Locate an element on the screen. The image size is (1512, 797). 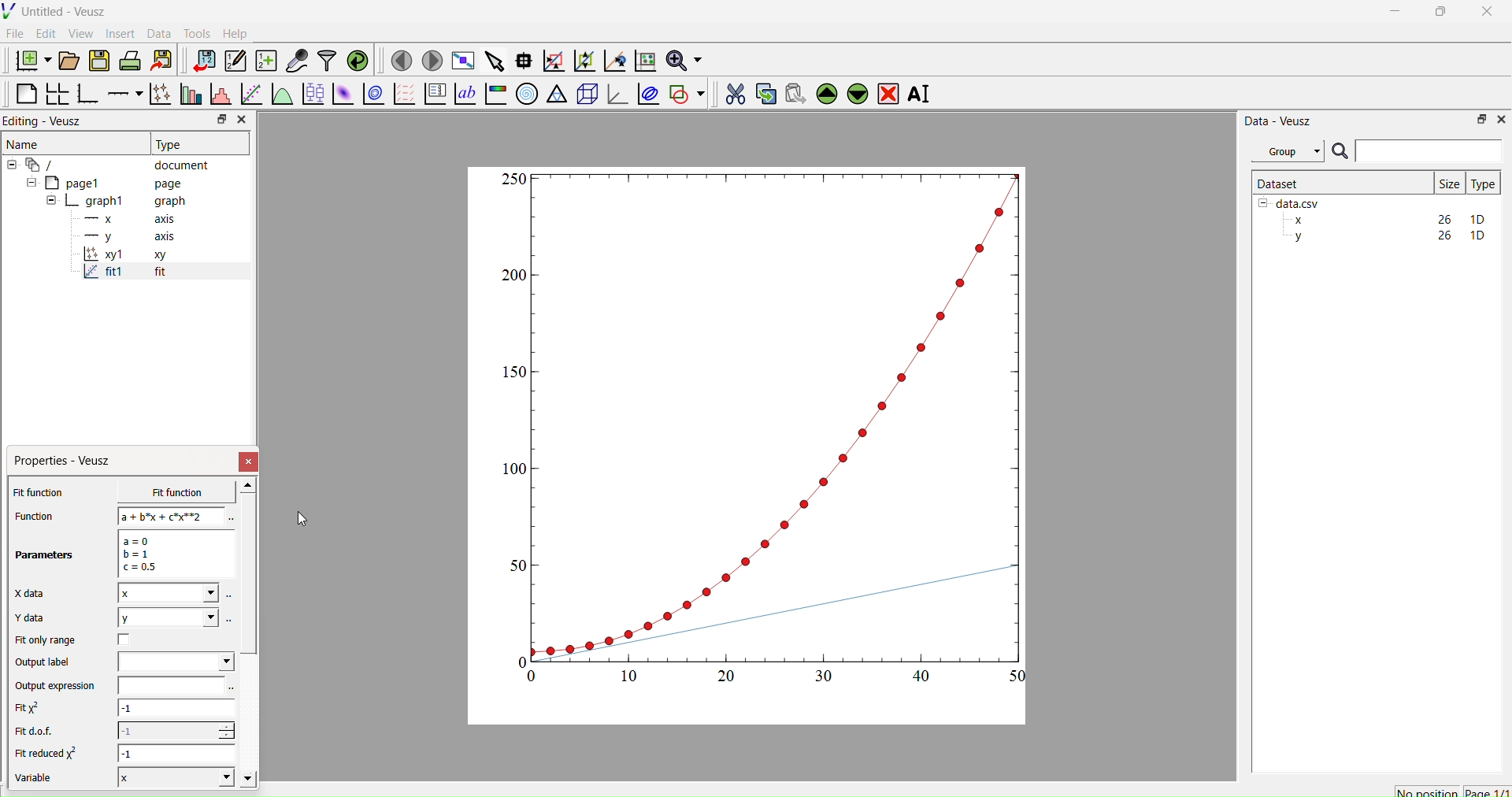
fit1 fit is located at coordinates (123, 275).